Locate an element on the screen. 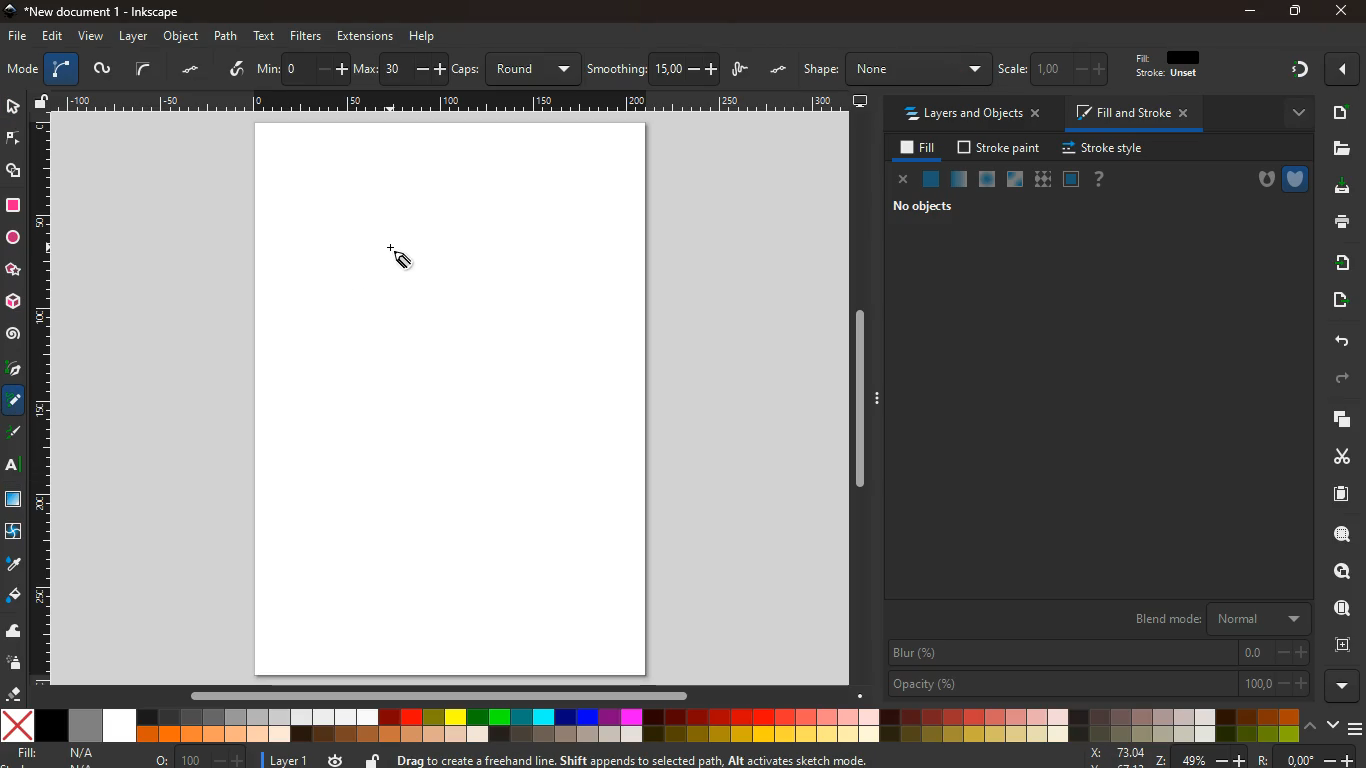  forward is located at coordinates (1345, 379).